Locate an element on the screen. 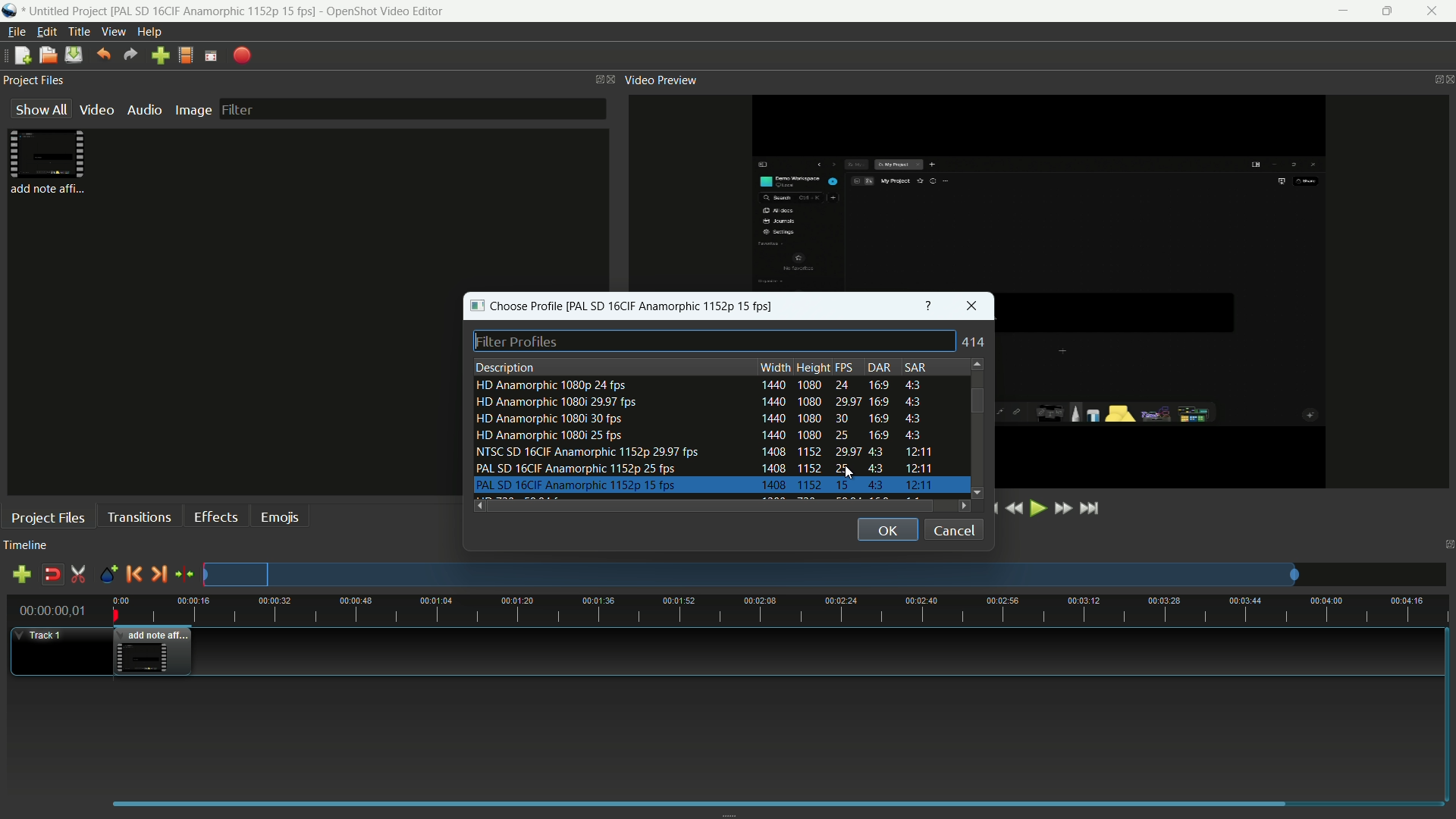 This screenshot has width=1456, height=819. app icon is located at coordinates (12, 11).